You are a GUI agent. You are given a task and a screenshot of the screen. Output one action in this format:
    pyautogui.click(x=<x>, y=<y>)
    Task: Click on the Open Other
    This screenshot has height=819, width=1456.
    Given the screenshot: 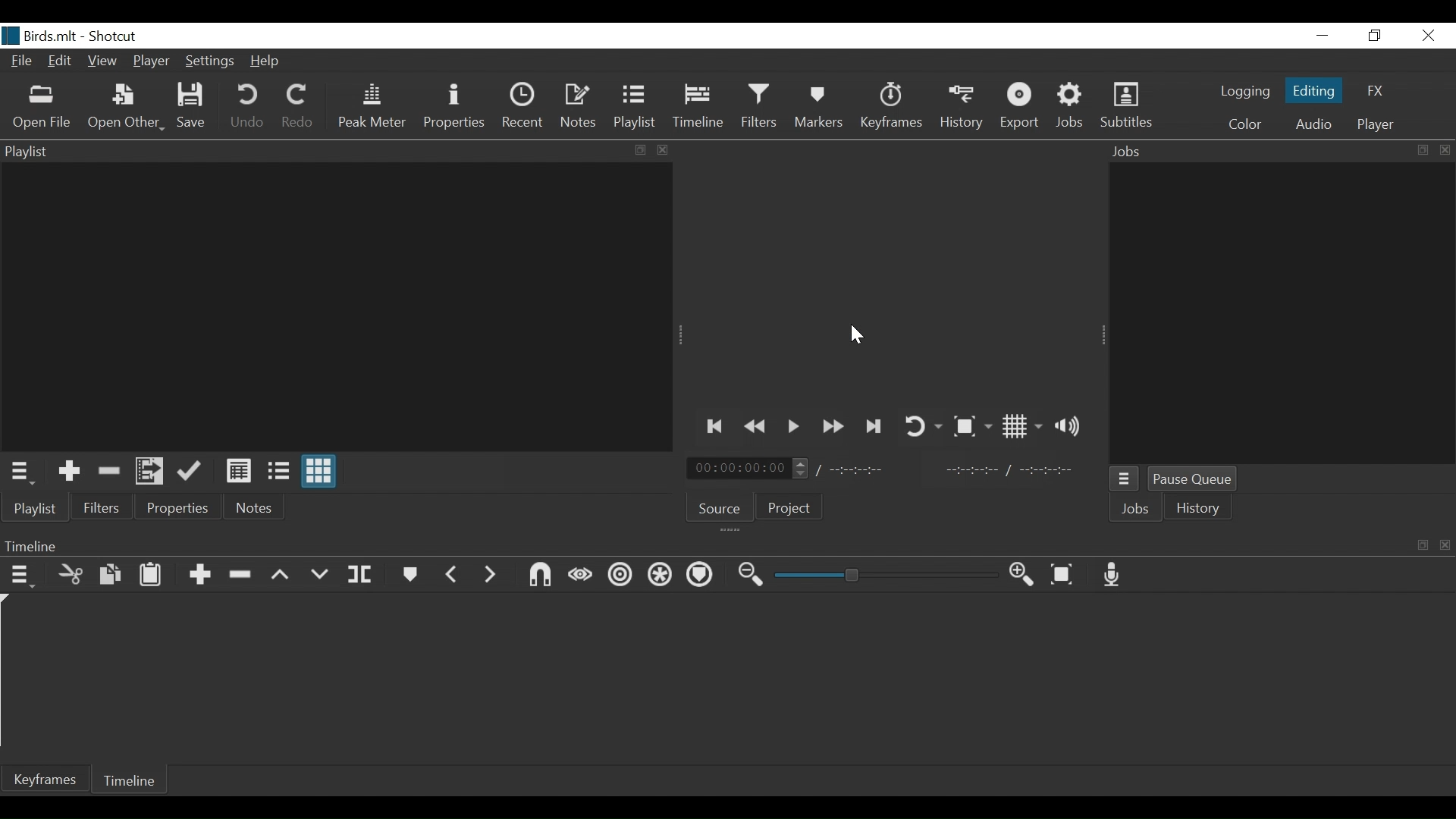 What is the action you would take?
    pyautogui.click(x=125, y=108)
    